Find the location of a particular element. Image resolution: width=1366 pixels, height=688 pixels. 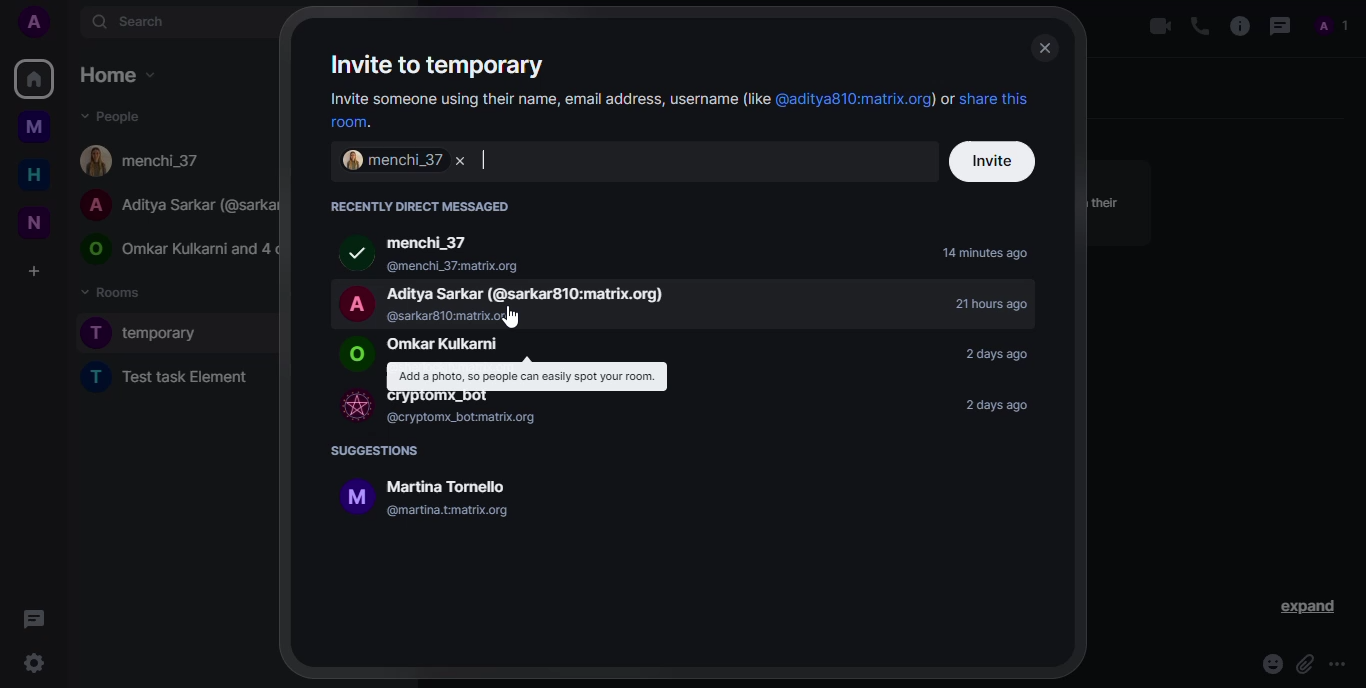

@martina.tmatrix.org is located at coordinates (449, 510).